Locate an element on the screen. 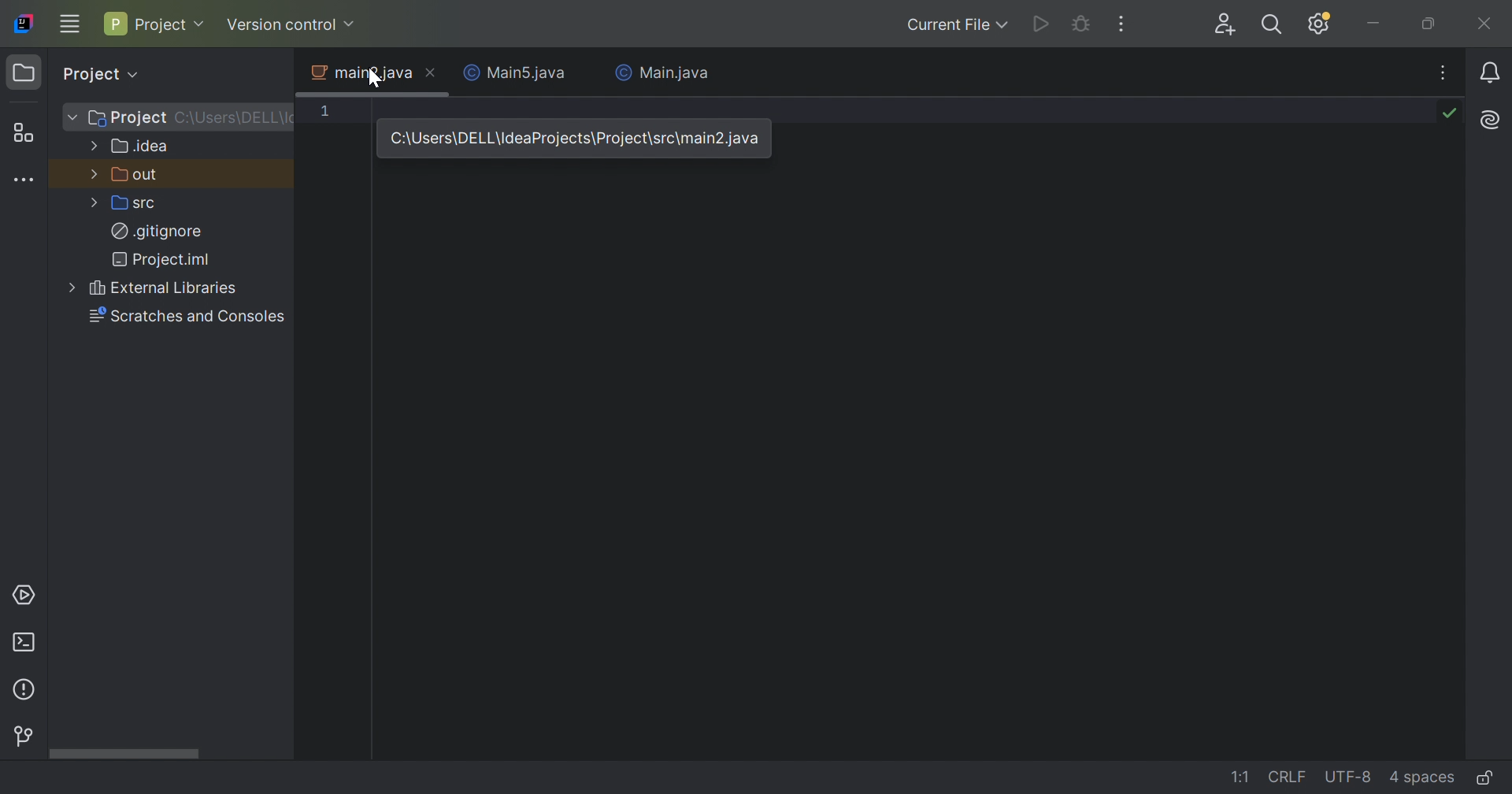 The height and width of the screenshot is (794, 1512). Notifications is located at coordinates (1491, 72).